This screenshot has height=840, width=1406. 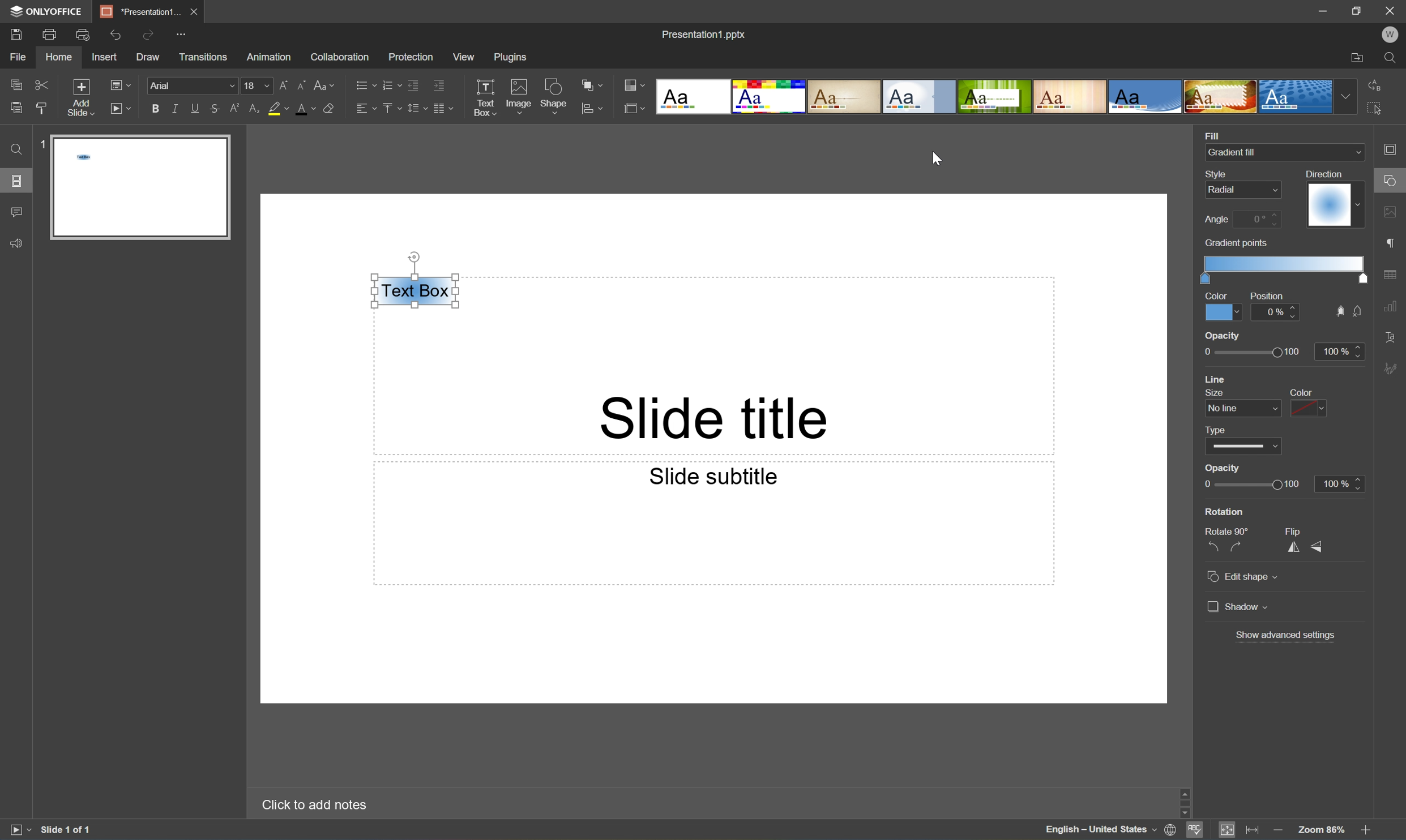 What do you see at coordinates (444, 110) in the screenshot?
I see `Insert columns` at bounding box center [444, 110].